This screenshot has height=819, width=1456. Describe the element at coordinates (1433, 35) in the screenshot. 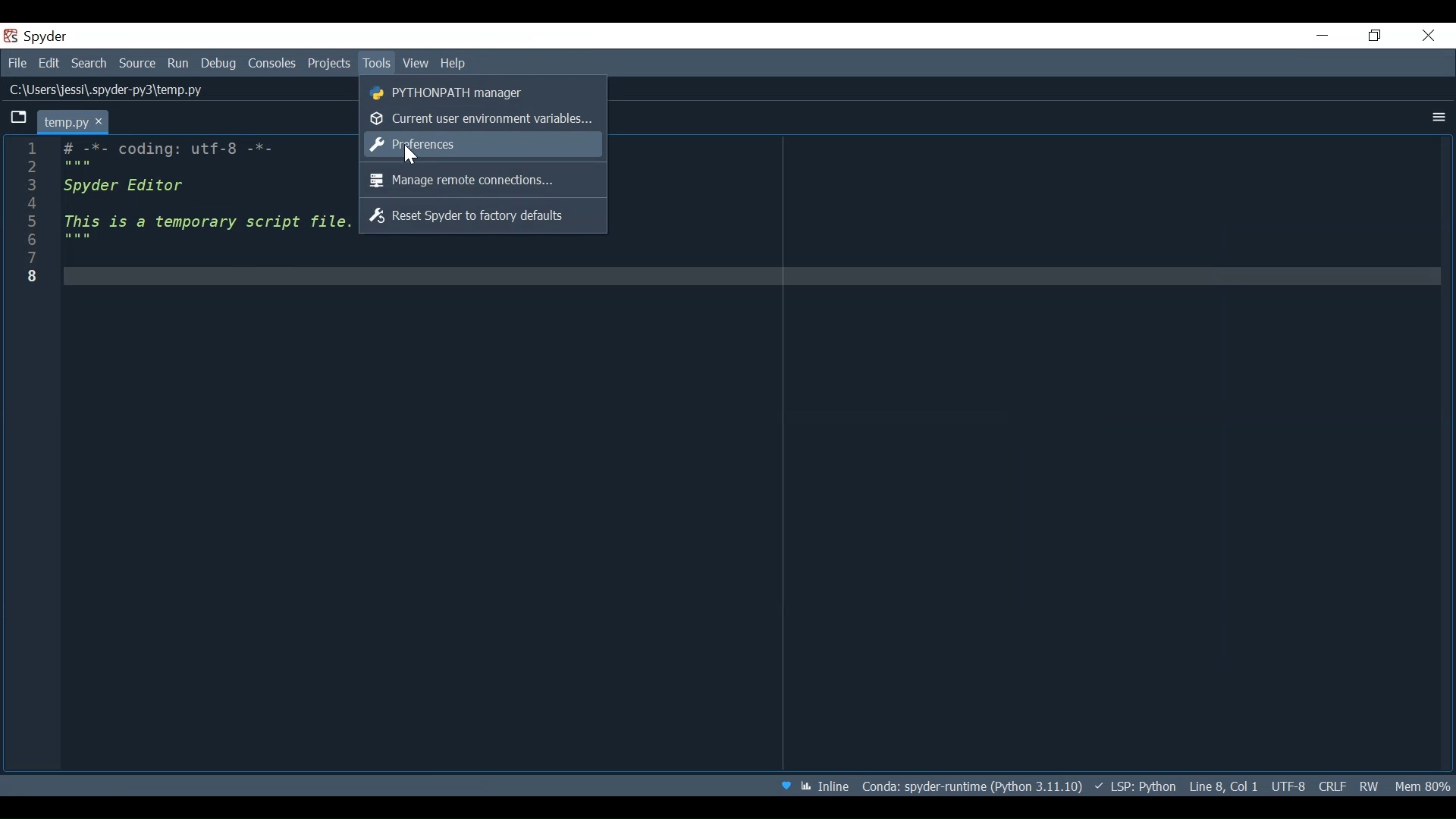

I see `Close` at that location.